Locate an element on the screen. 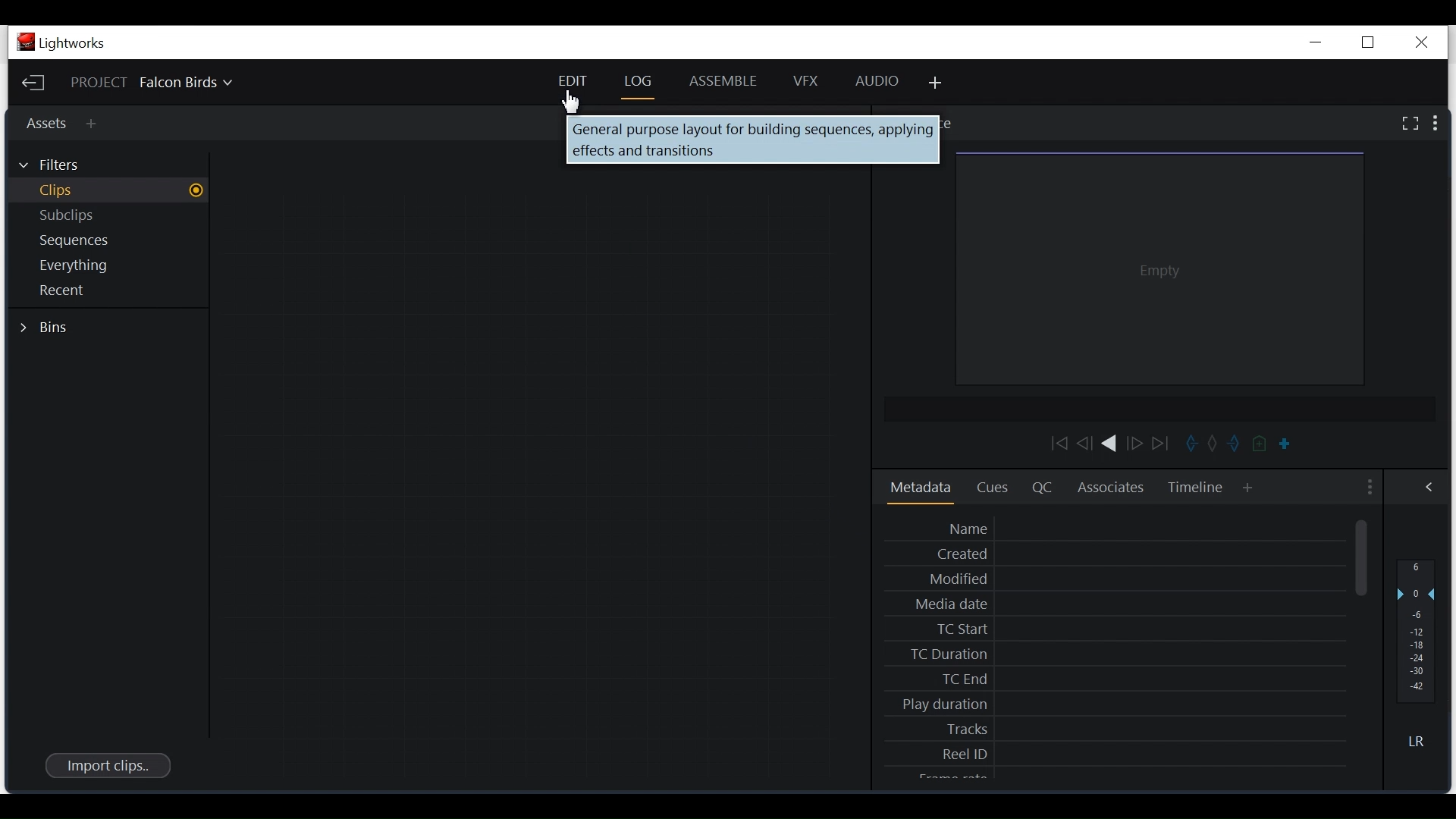 The image size is (1456, 819). Associates is located at coordinates (1112, 489).